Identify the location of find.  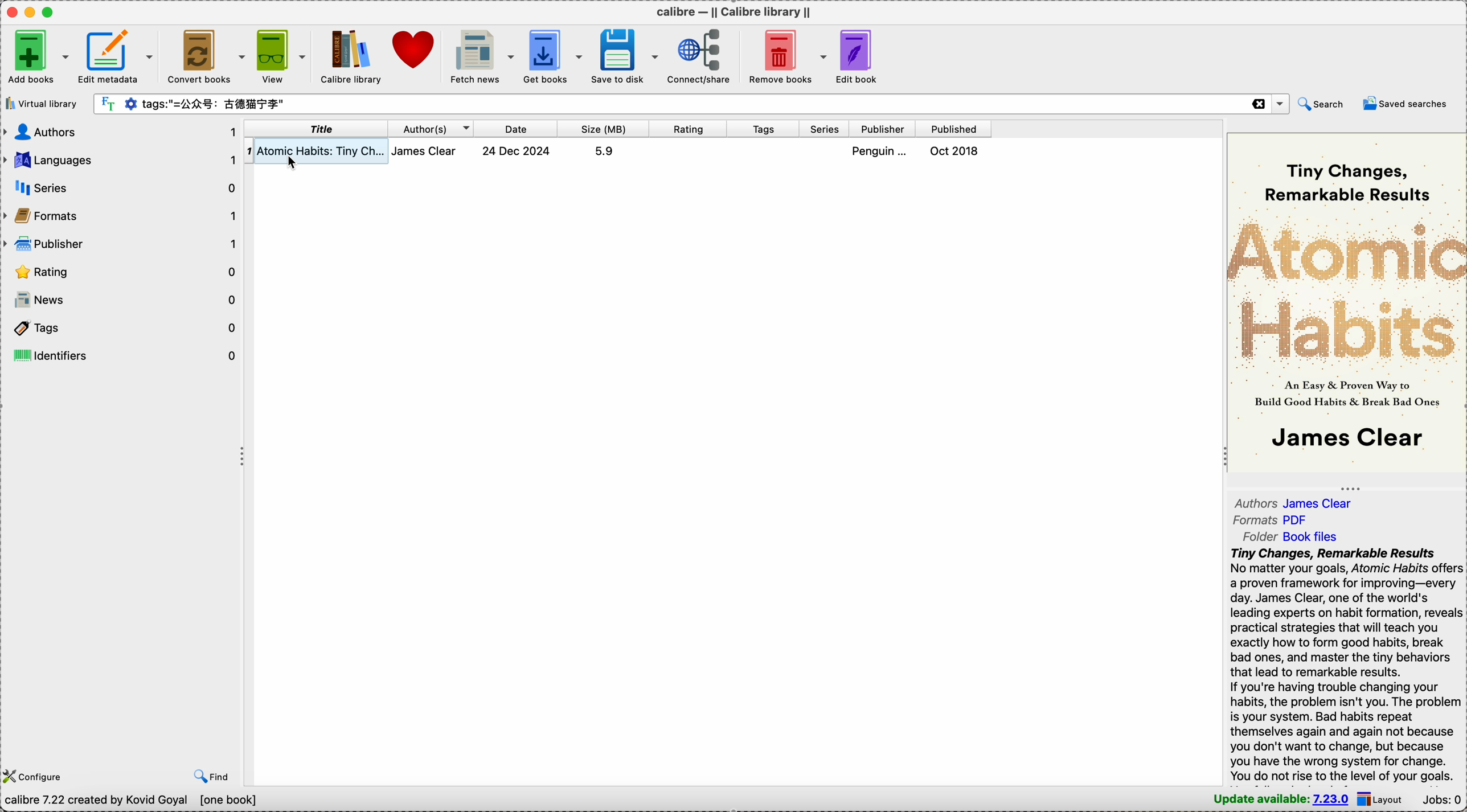
(212, 777).